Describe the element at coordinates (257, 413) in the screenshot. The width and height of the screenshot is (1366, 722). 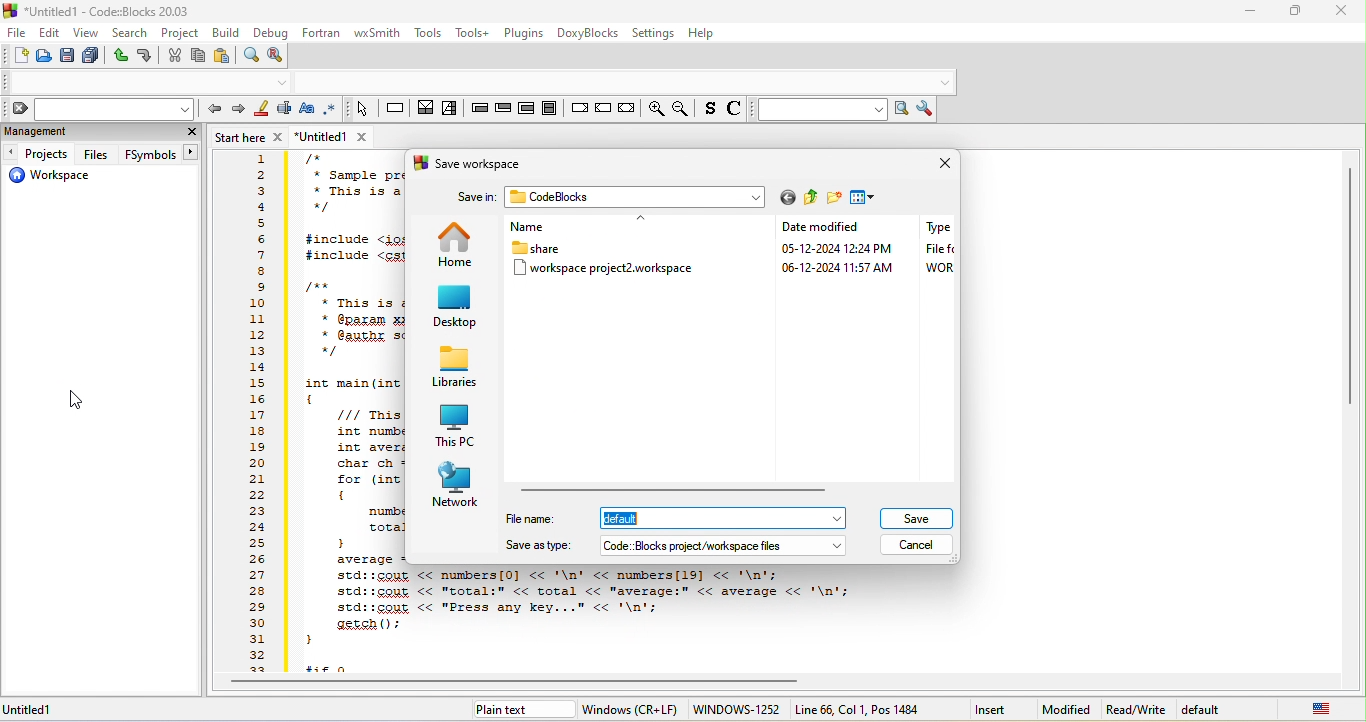
I see `line number` at that location.